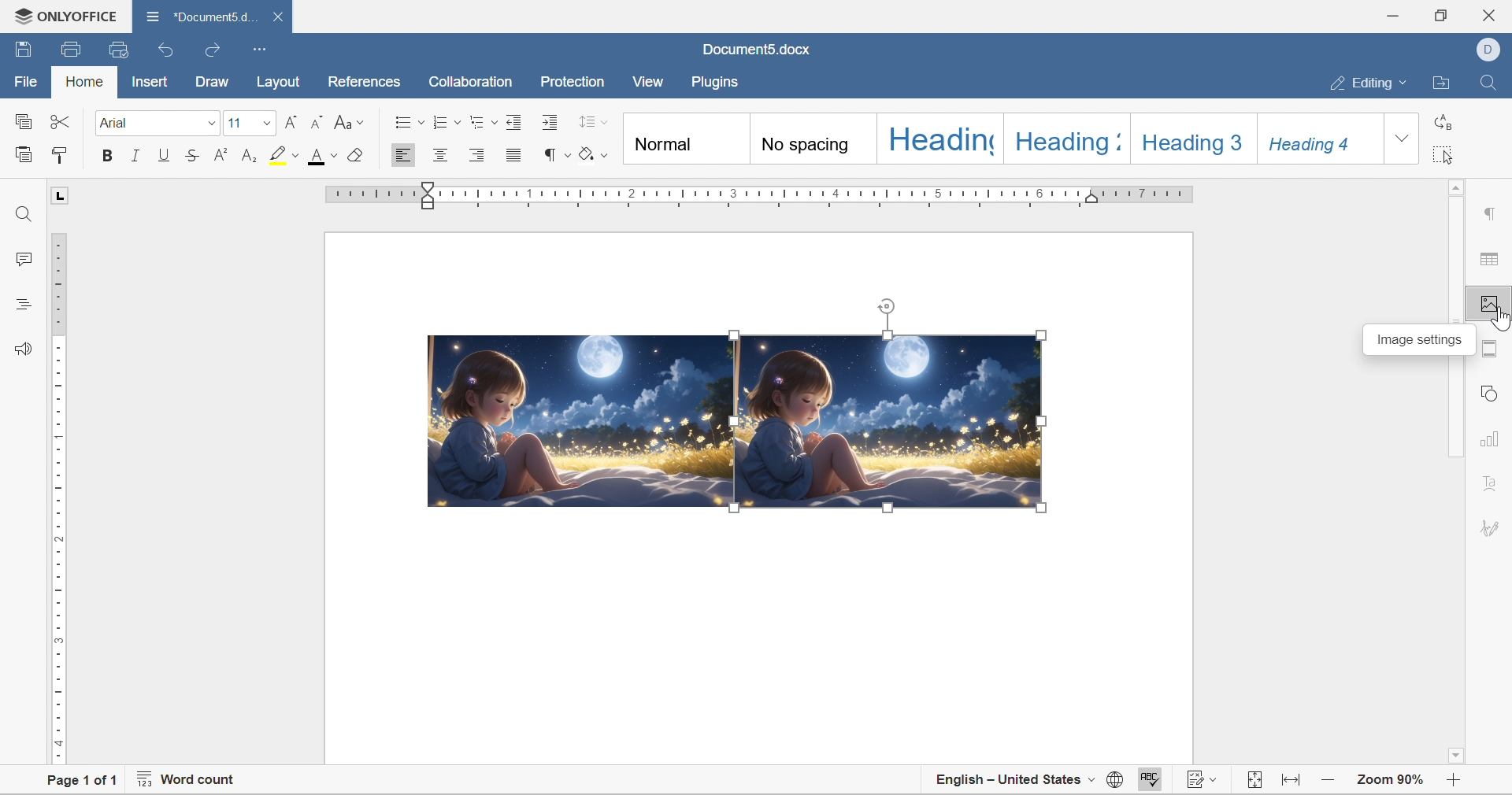 Image resolution: width=1512 pixels, height=795 pixels. What do you see at coordinates (220, 154) in the screenshot?
I see `superscript` at bounding box center [220, 154].